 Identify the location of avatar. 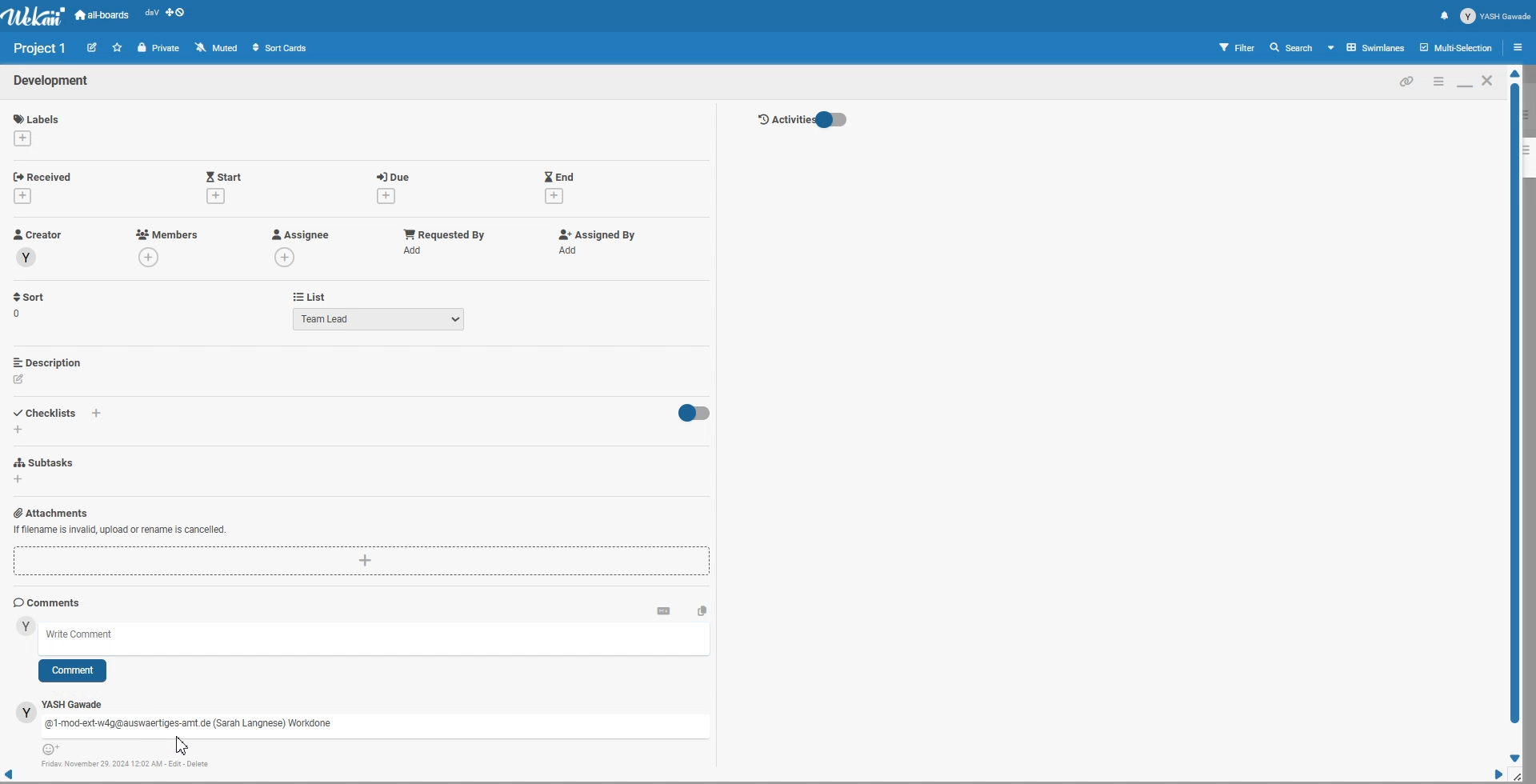
(27, 258).